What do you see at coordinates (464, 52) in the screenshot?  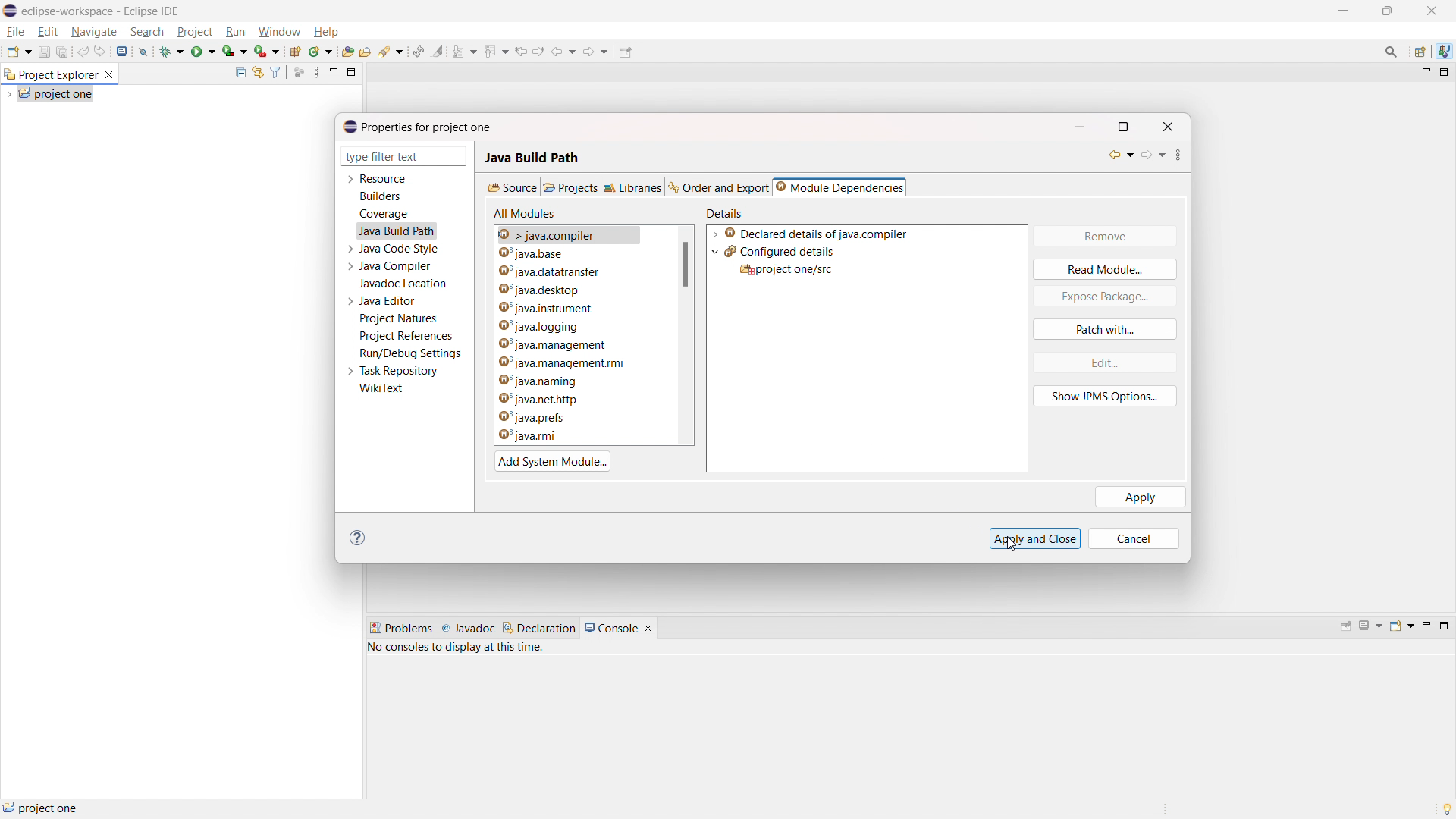 I see `next annotation` at bounding box center [464, 52].